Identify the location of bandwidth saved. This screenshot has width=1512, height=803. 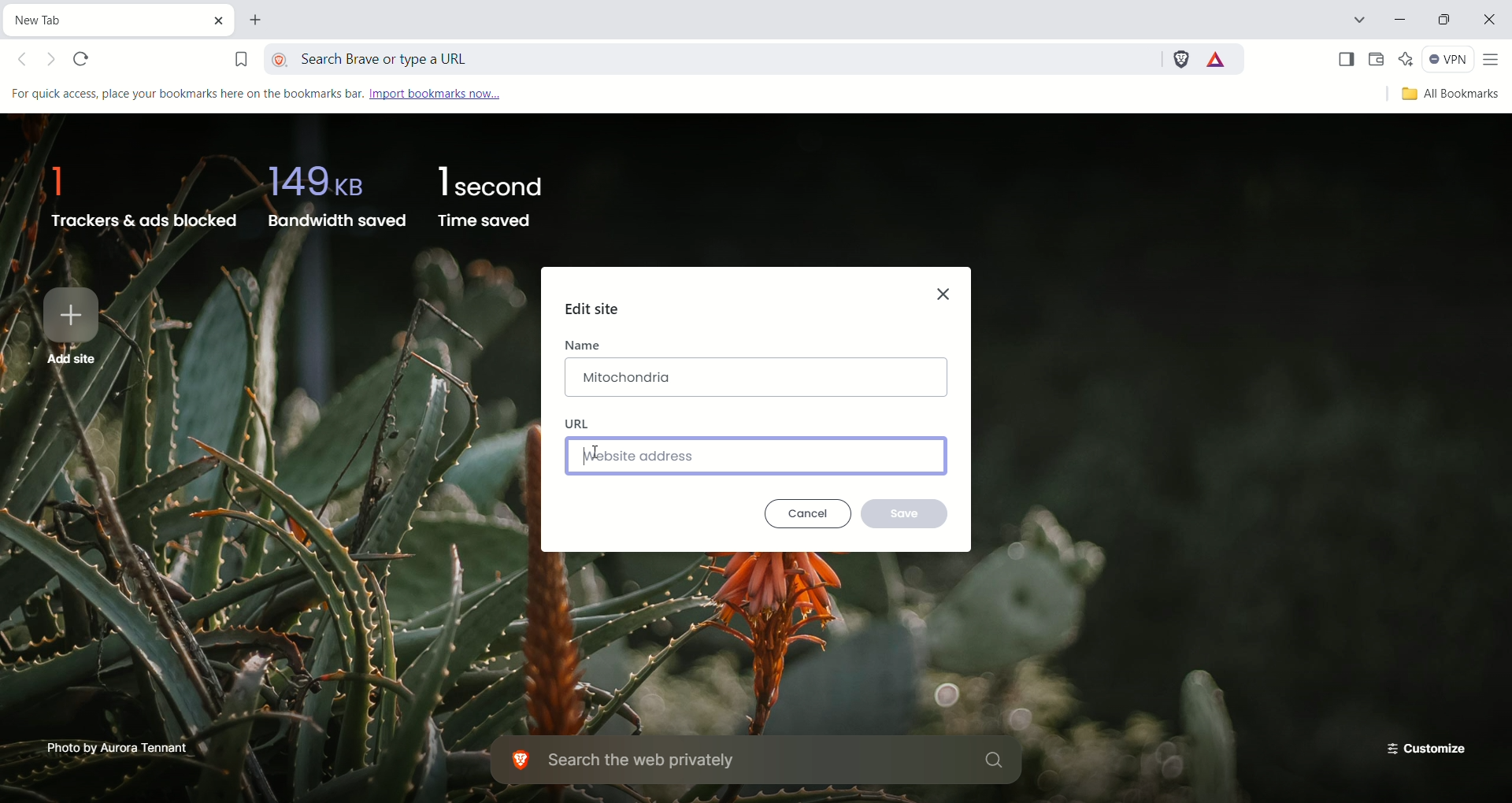
(334, 193).